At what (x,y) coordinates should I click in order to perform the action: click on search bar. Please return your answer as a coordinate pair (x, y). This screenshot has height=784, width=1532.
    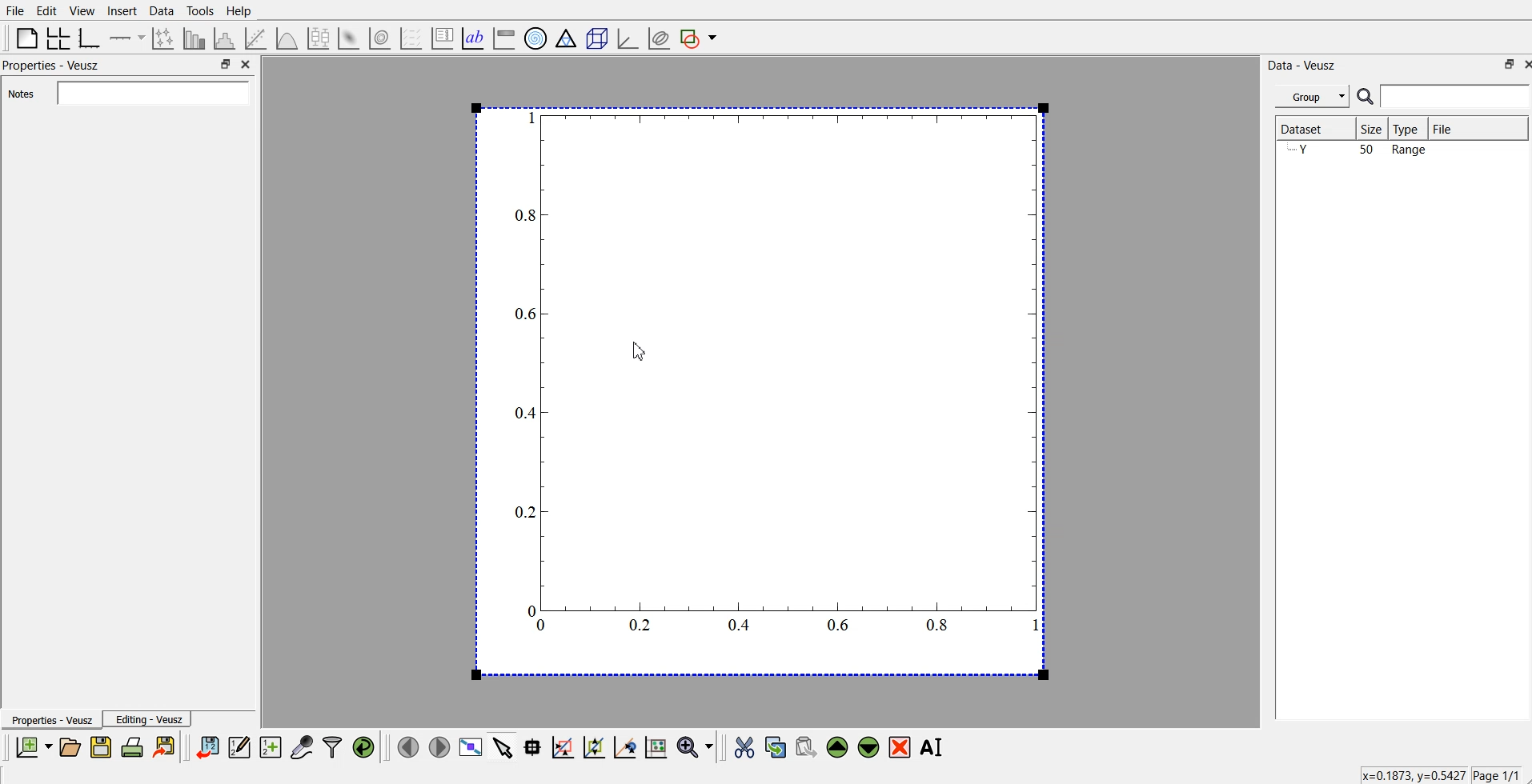
    Looking at the image, I should click on (1443, 96).